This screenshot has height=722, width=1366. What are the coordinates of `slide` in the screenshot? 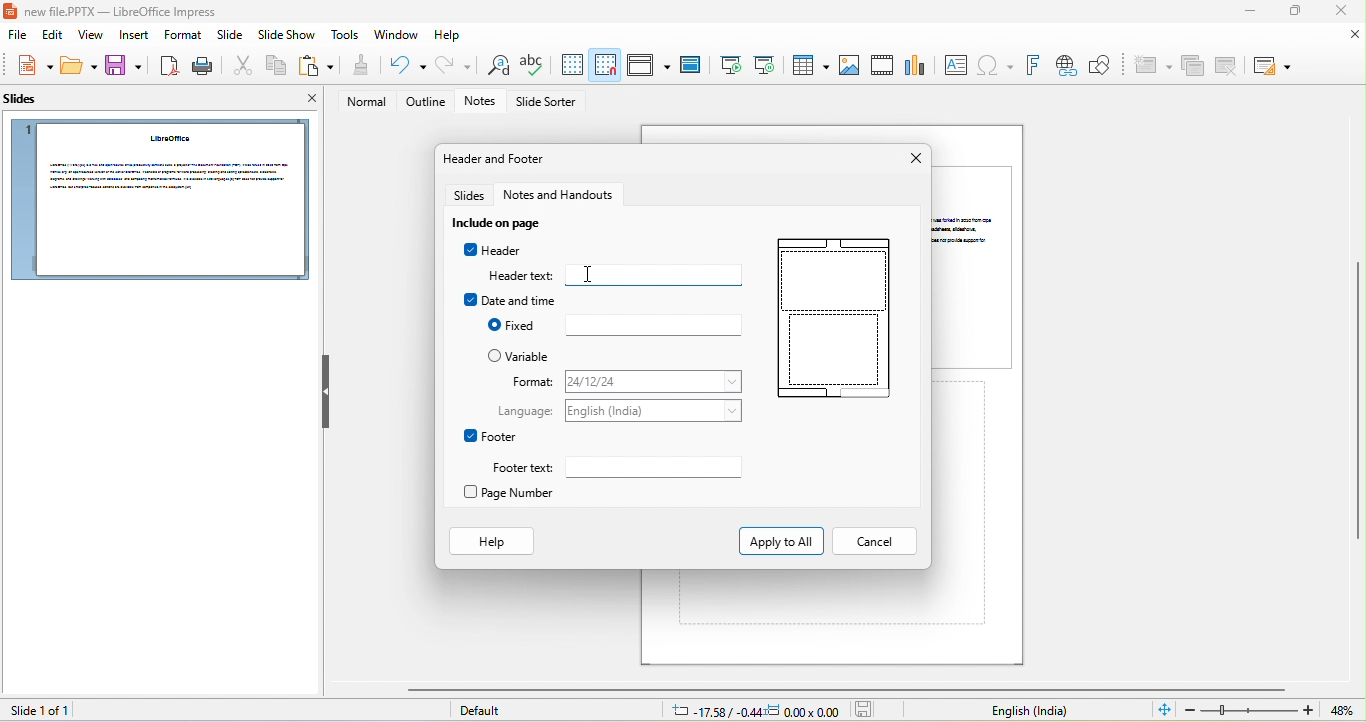 It's located at (229, 38).